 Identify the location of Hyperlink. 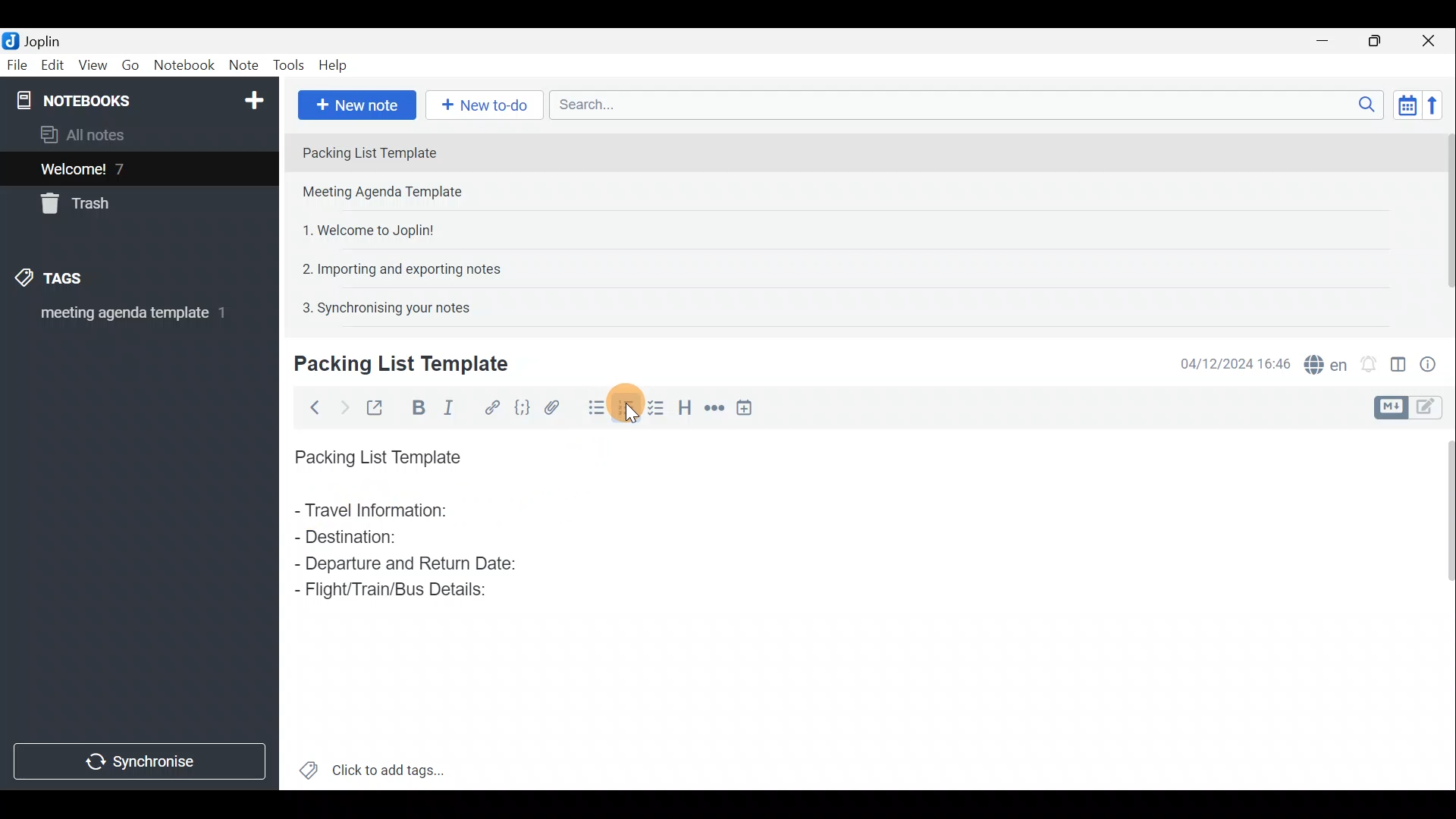
(489, 406).